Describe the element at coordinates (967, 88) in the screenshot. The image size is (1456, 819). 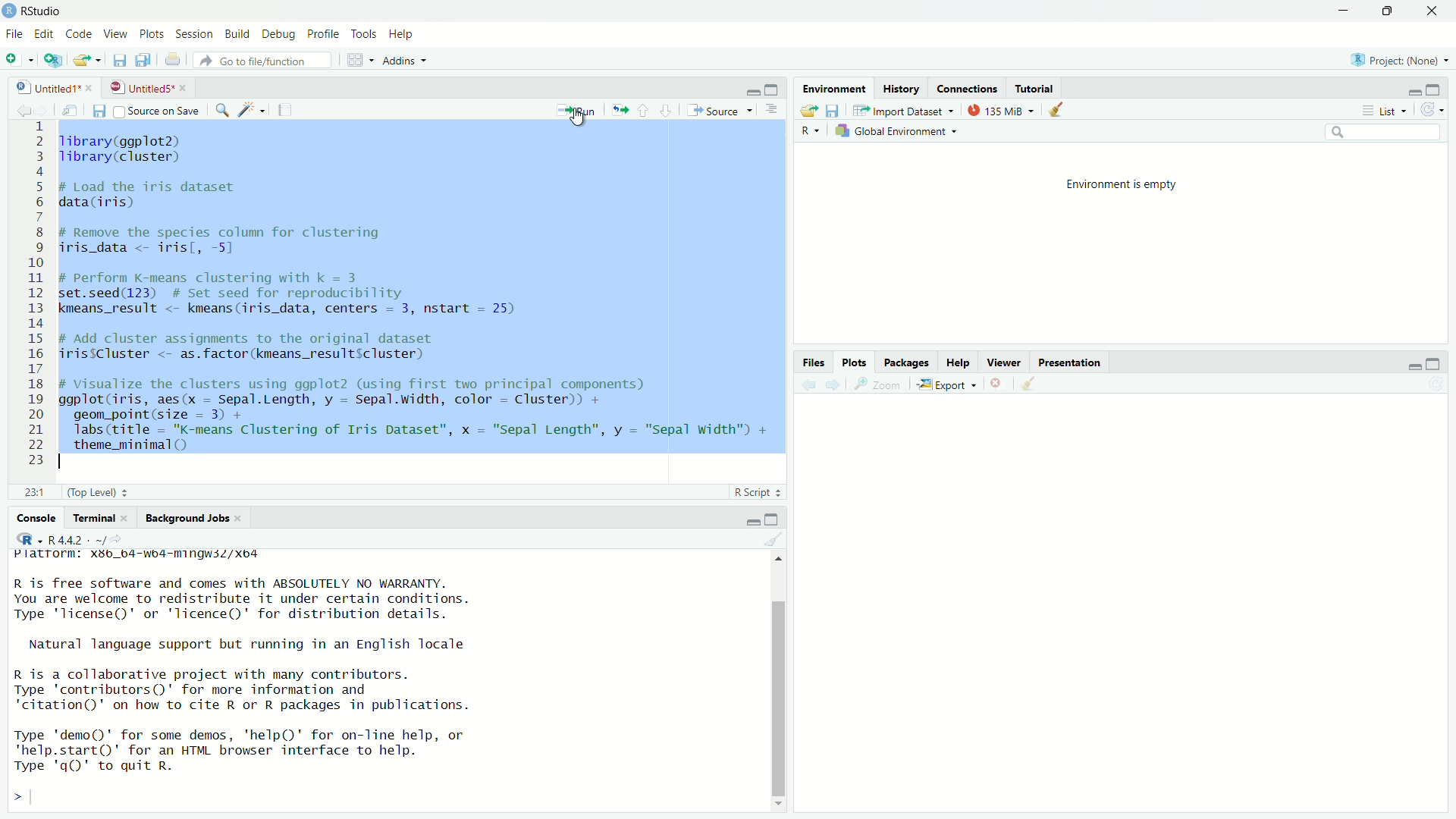
I see `Connections` at that location.